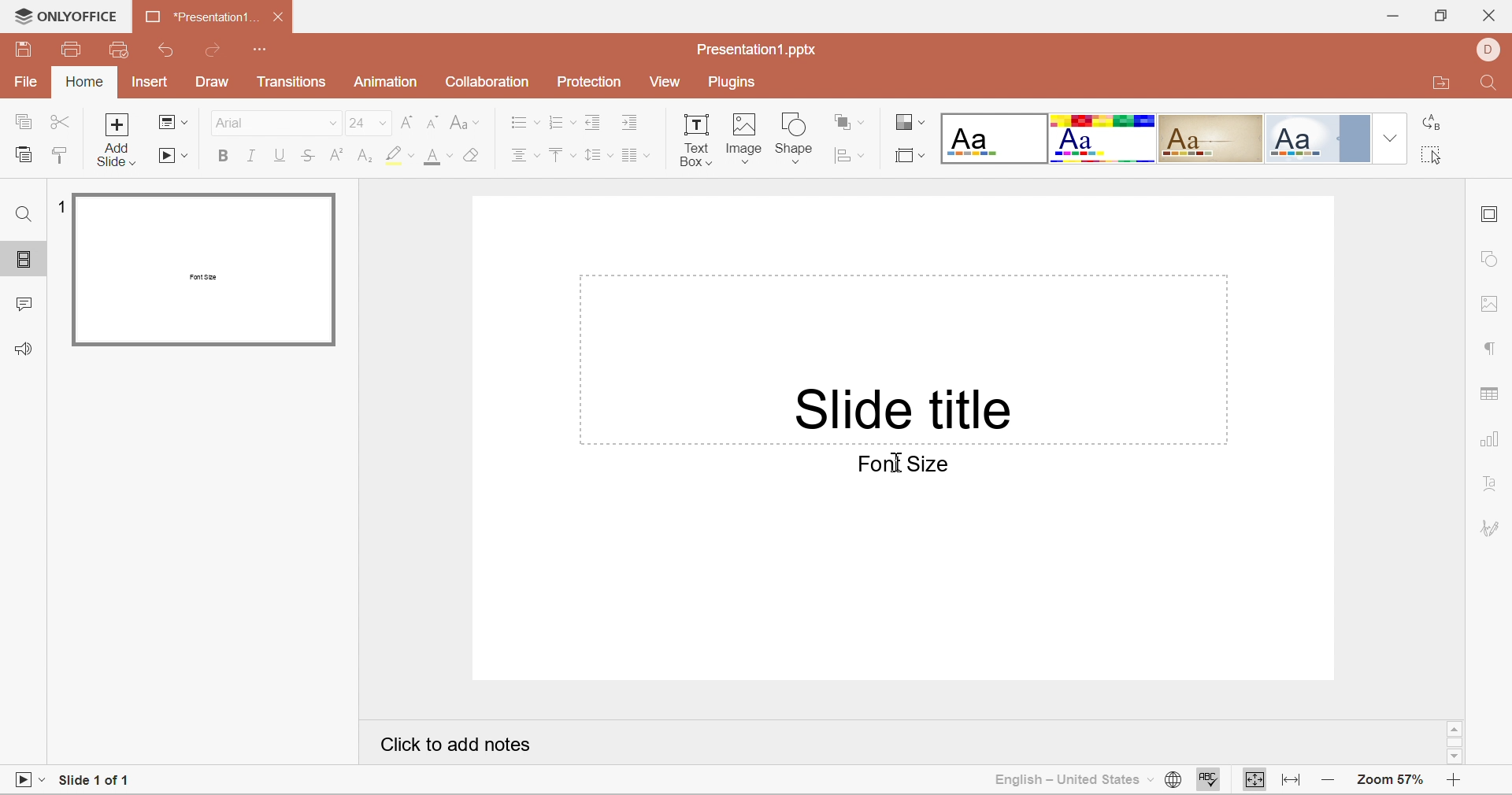  I want to click on Increase Indent, so click(632, 124).